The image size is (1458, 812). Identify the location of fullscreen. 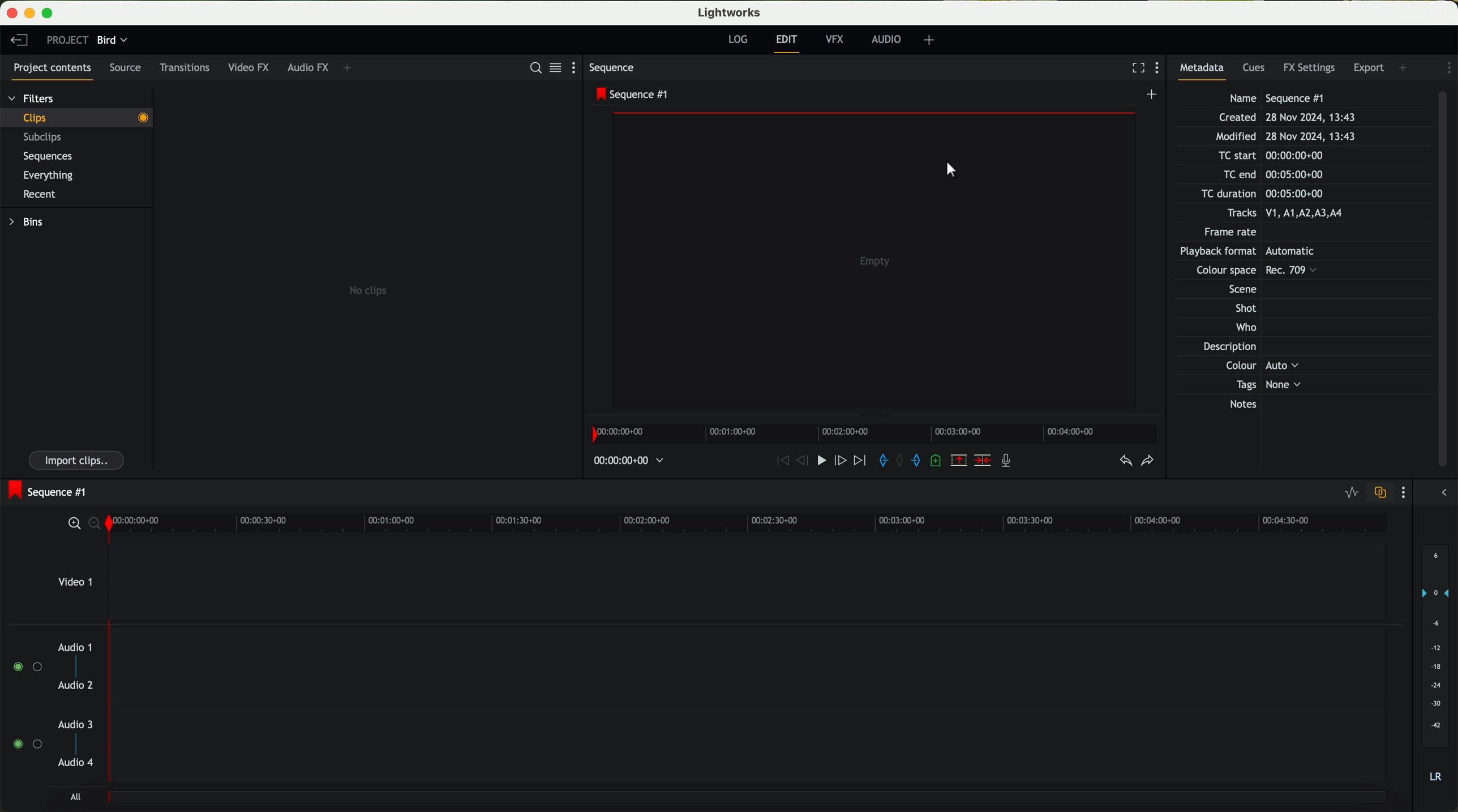
(1138, 67).